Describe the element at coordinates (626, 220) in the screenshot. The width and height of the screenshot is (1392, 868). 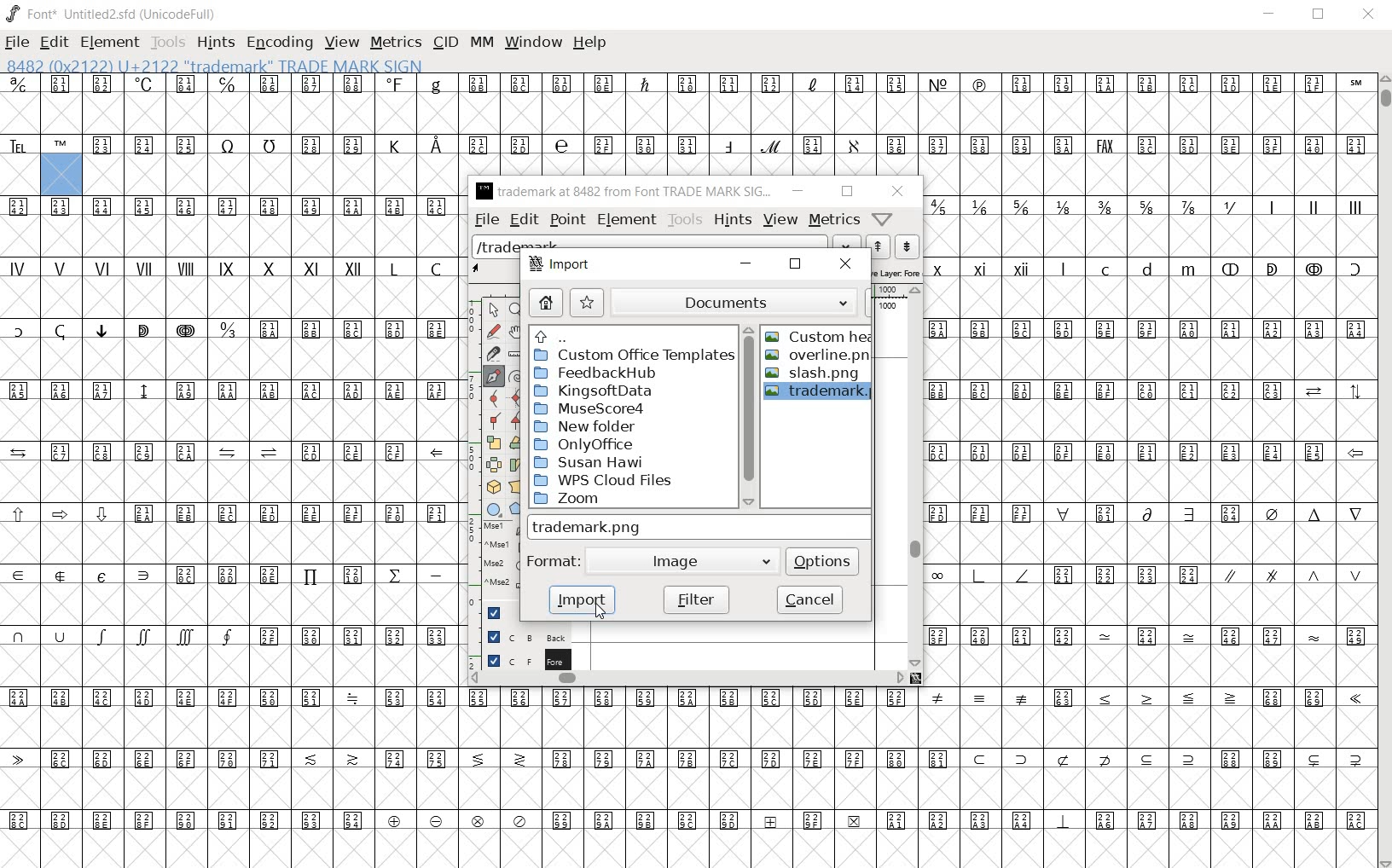
I see `element` at that location.